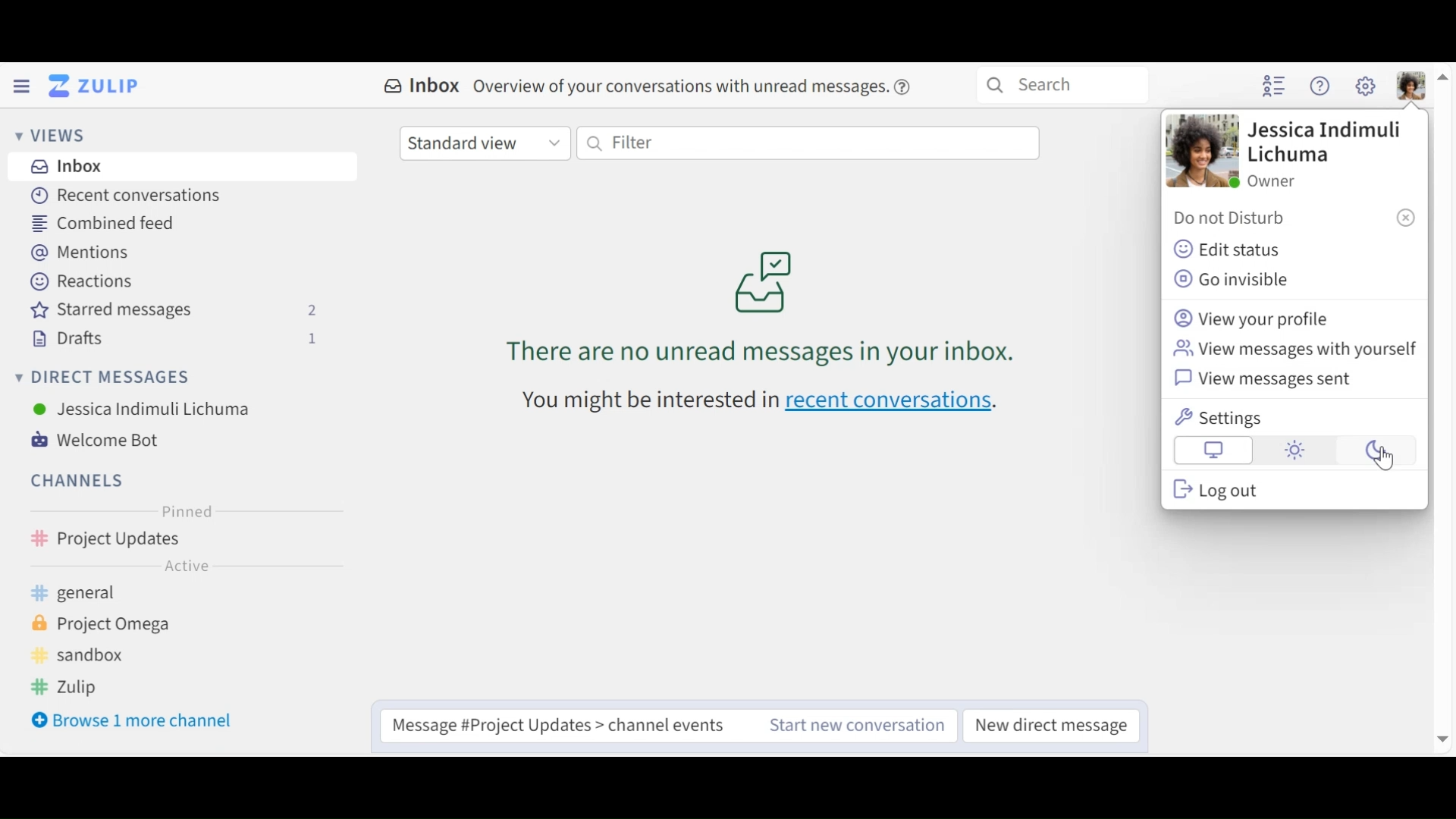 The image size is (1456, 819). I want to click on Help menu, so click(1322, 88).